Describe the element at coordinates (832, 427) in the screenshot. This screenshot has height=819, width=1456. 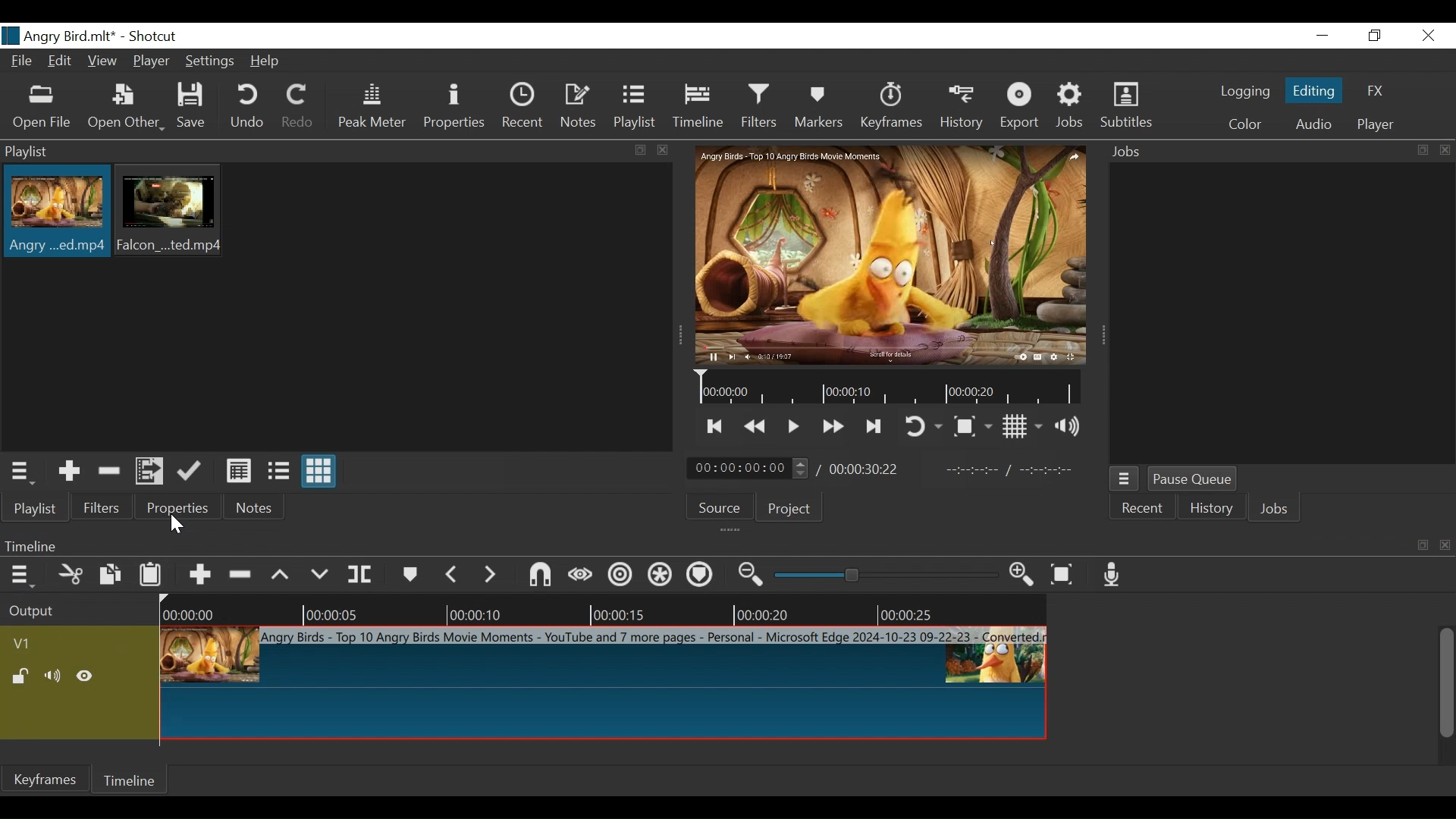
I see `Play forward quickly` at that location.